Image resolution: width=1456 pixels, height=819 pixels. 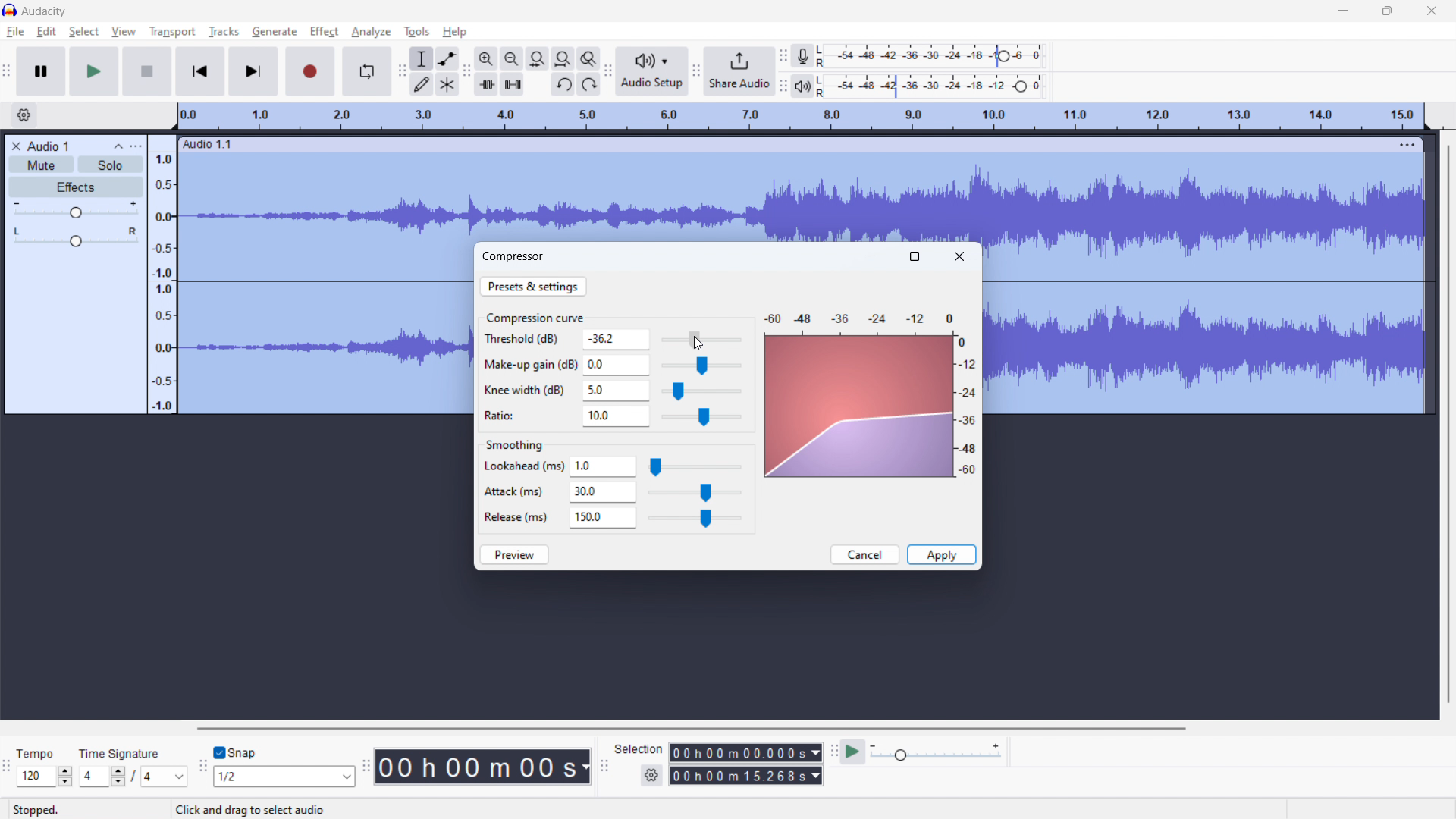 What do you see at coordinates (94, 71) in the screenshot?
I see `play` at bounding box center [94, 71].